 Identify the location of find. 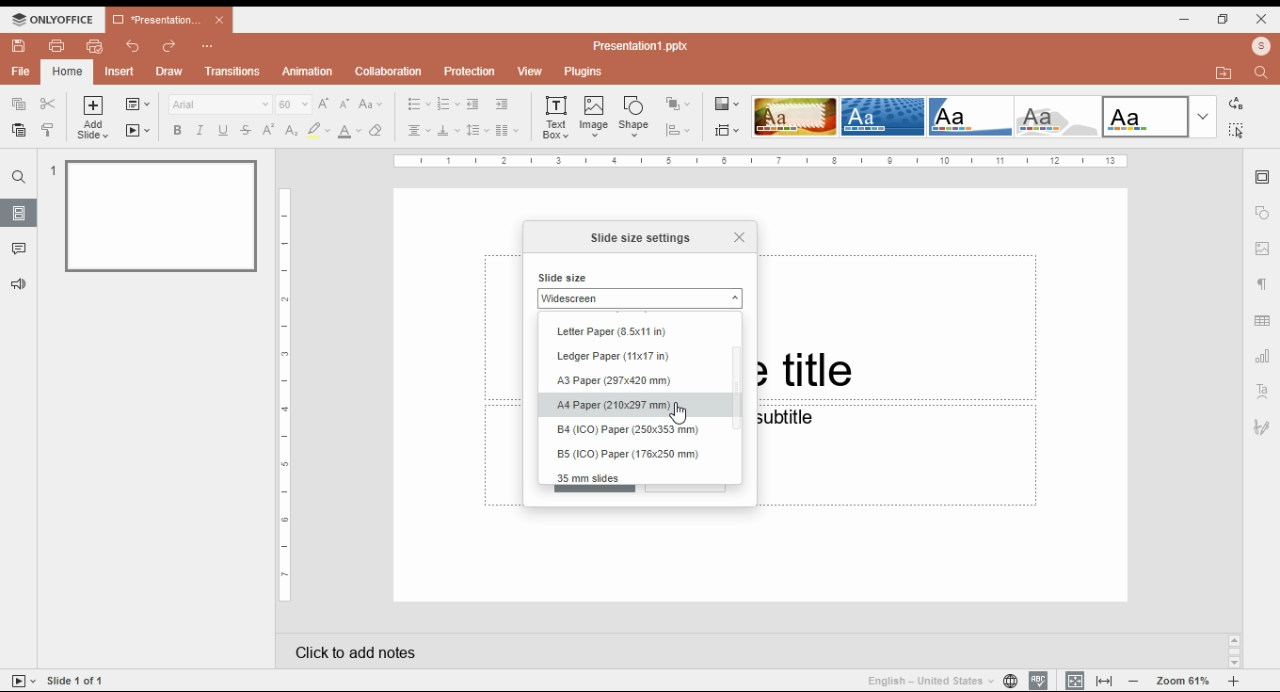
(19, 177).